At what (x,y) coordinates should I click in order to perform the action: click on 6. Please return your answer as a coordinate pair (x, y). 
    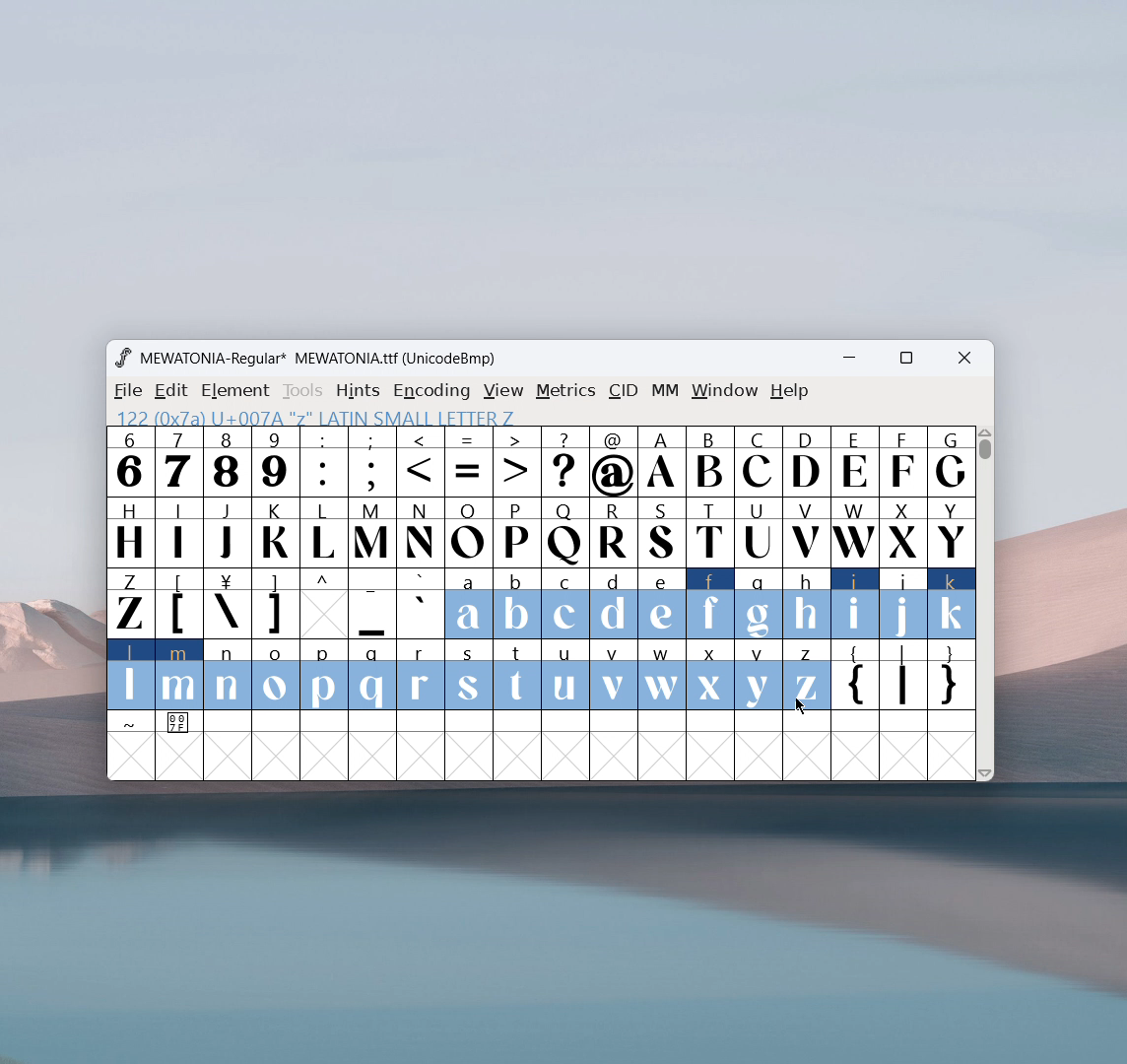
    Looking at the image, I should click on (130, 461).